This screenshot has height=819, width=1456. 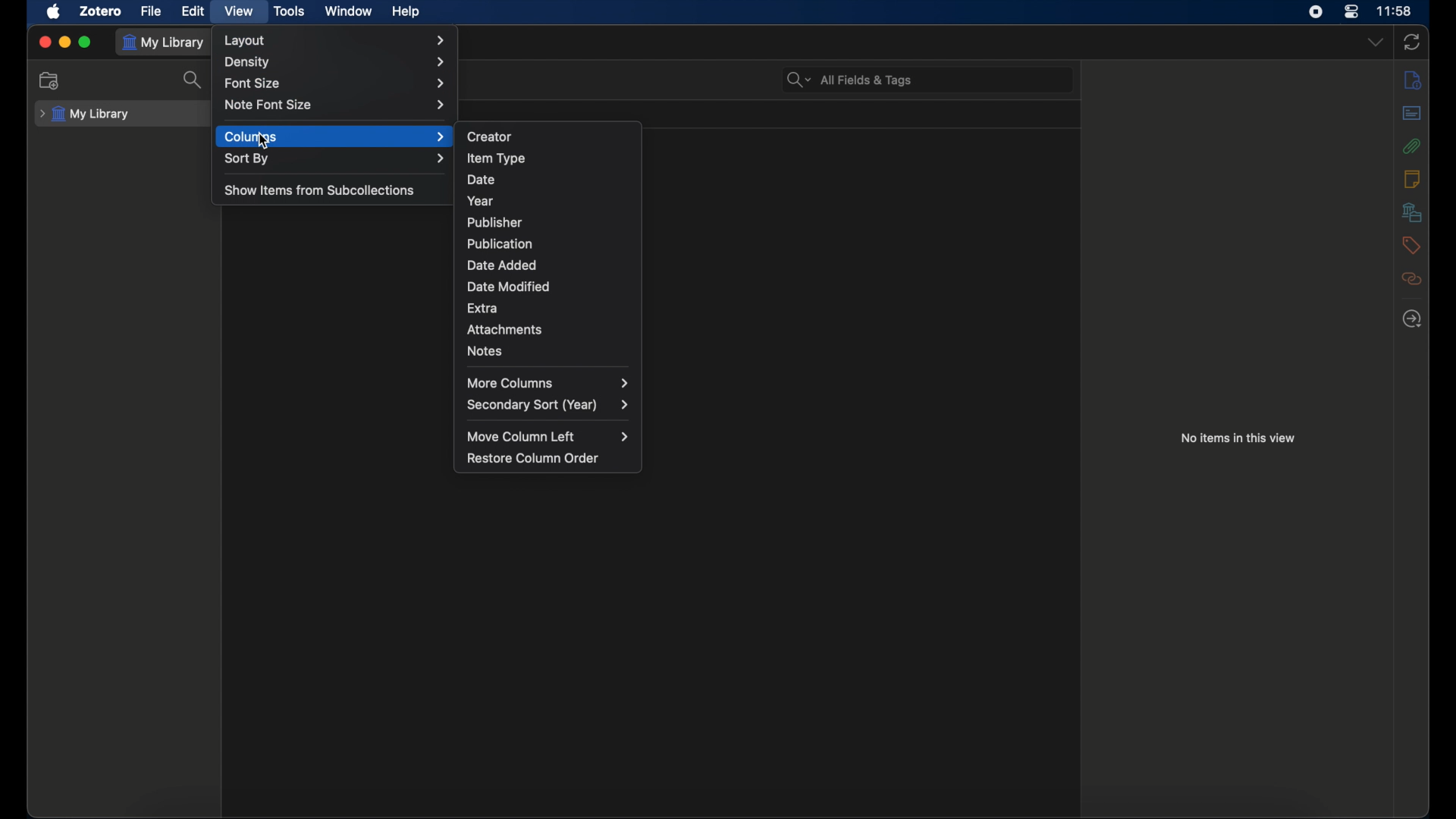 What do you see at coordinates (337, 83) in the screenshot?
I see `font size` at bounding box center [337, 83].